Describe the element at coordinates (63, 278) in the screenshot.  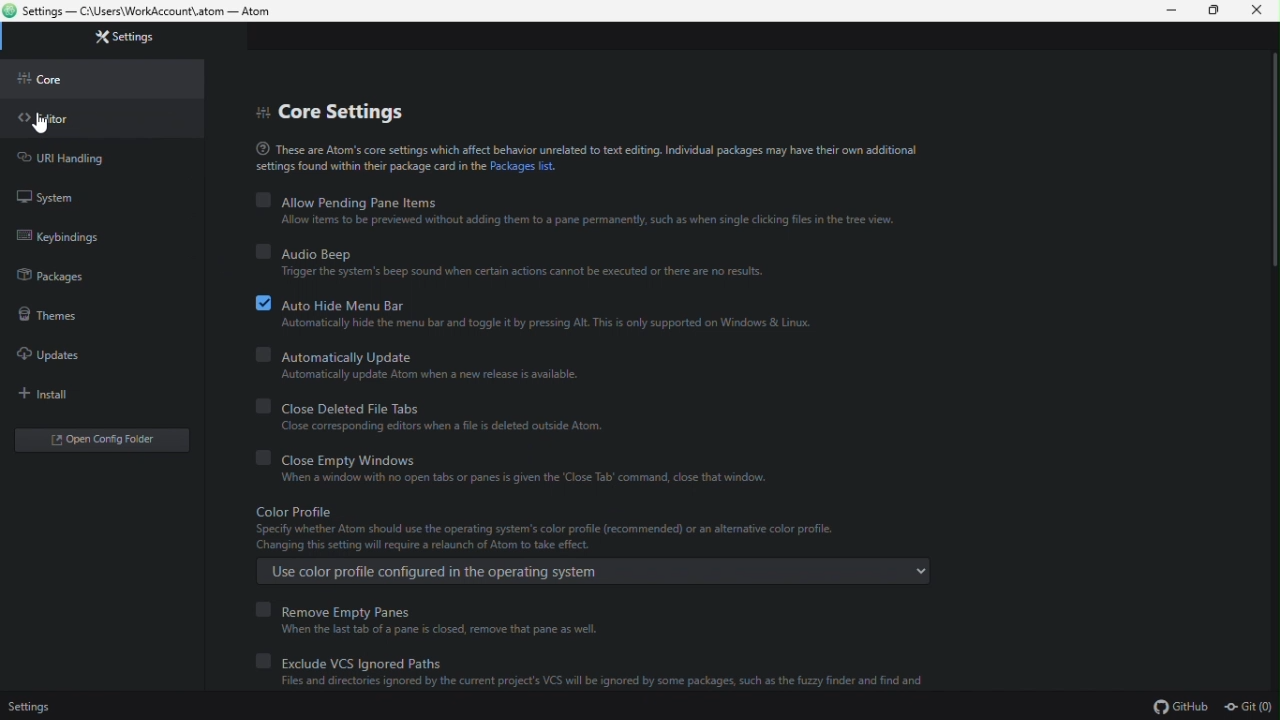
I see `packages` at that location.